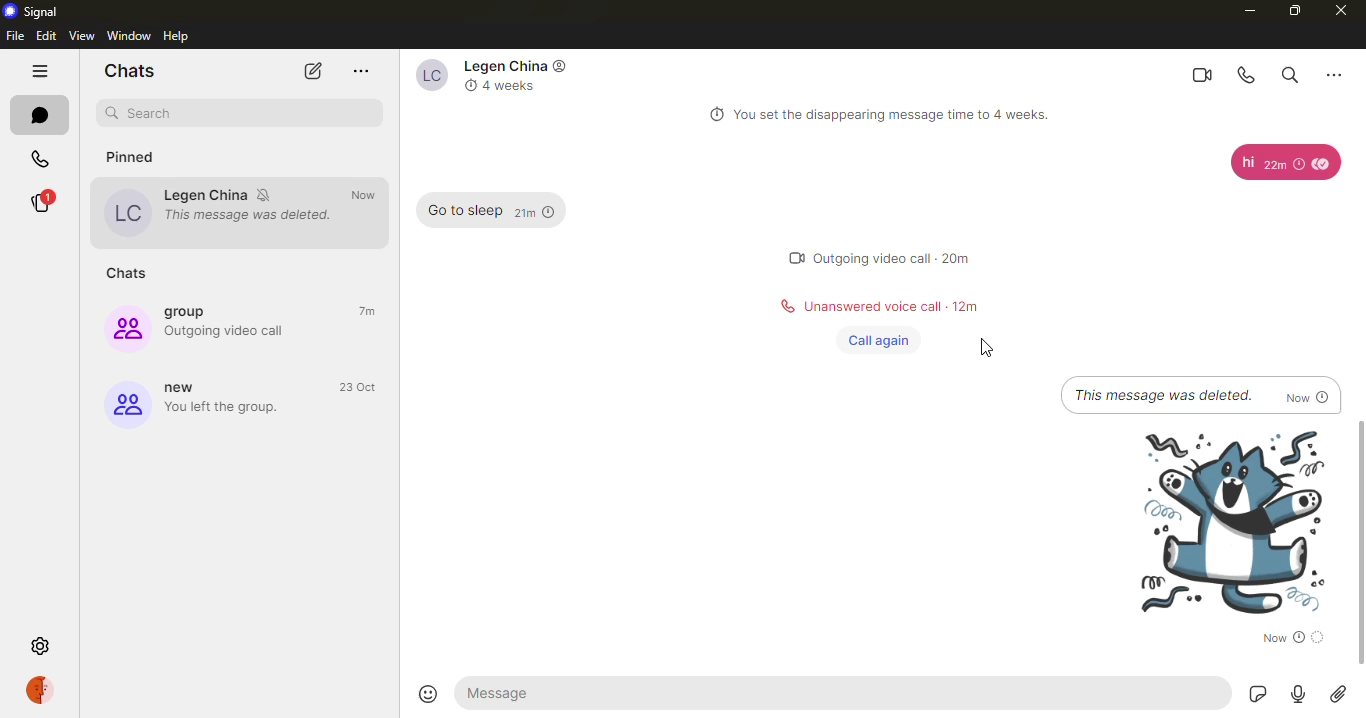 This screenshot has height=718, width=1366. I want to click on cursor, so click(989, 347).